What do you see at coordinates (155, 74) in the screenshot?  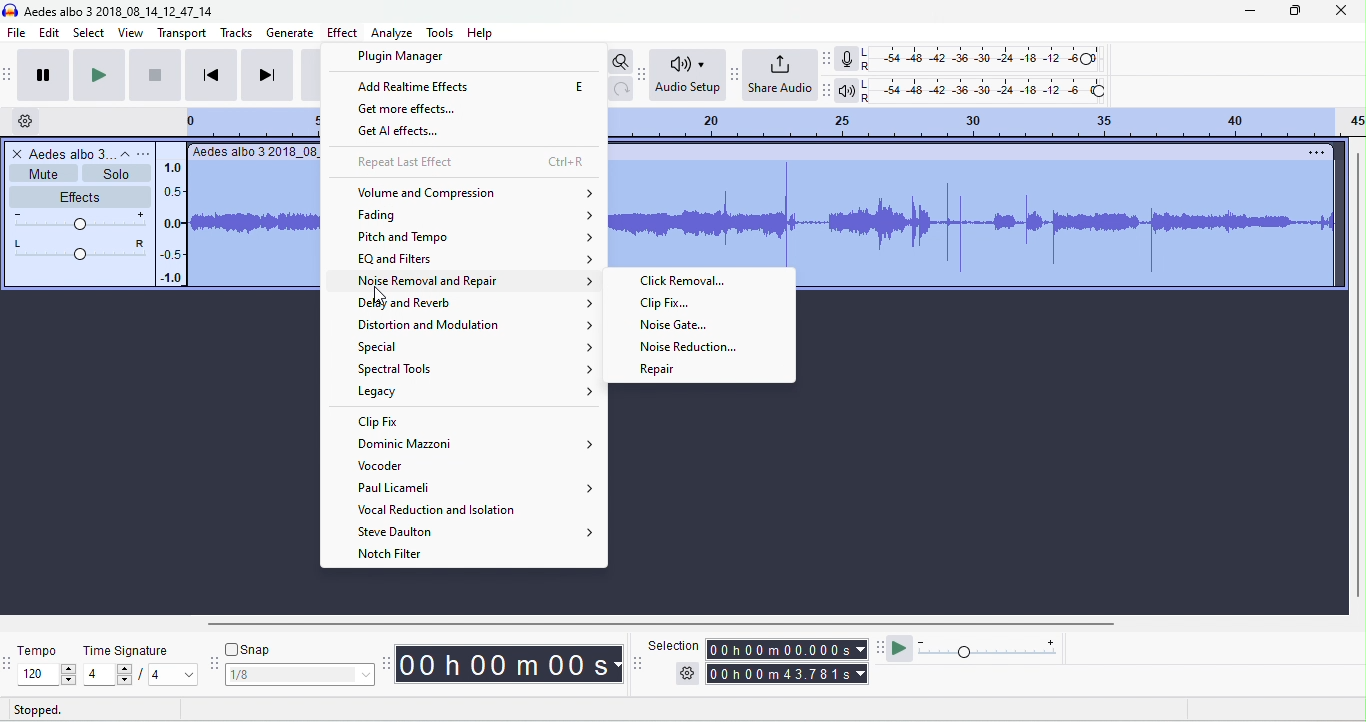 I see `stop` at bounding box center [155, 74].